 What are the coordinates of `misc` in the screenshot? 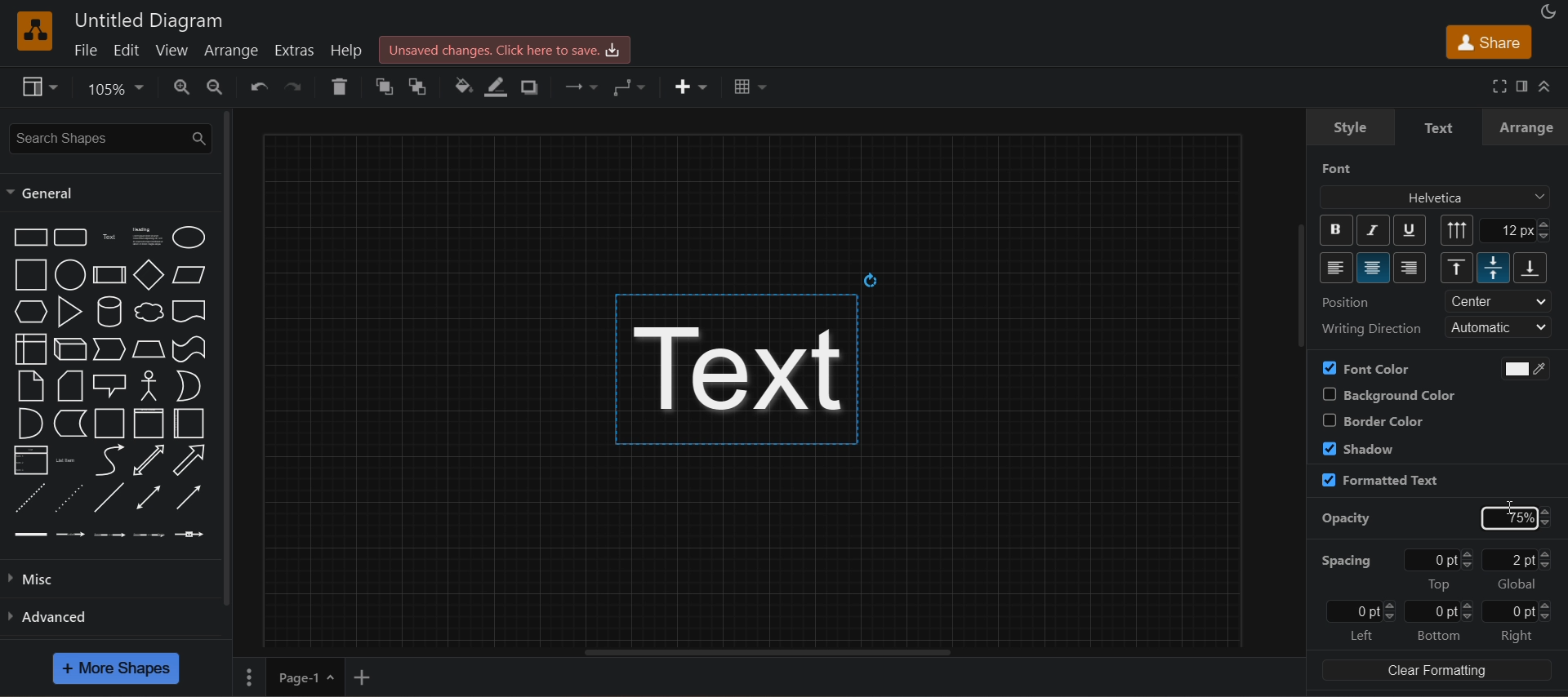 It's located at (107, 579).